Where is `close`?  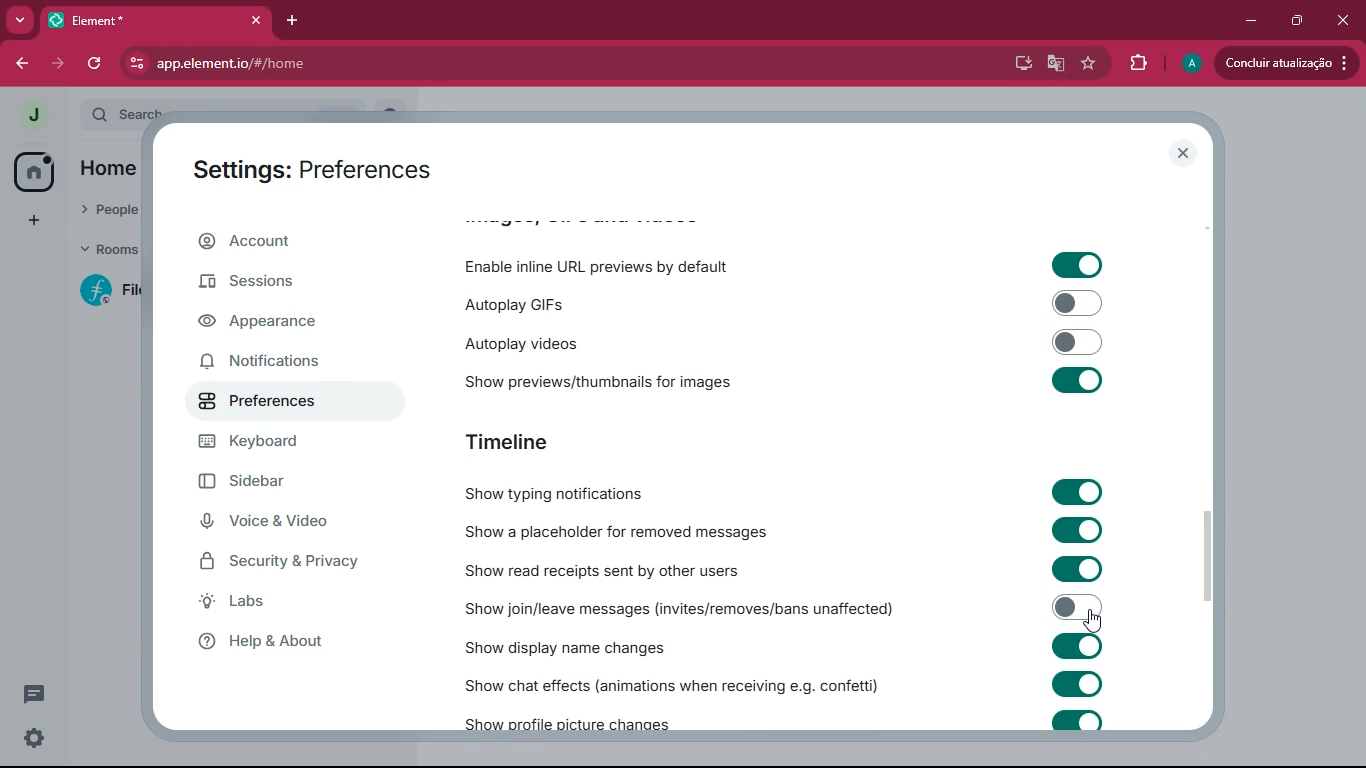
close is located at coordinates (1184, 153).